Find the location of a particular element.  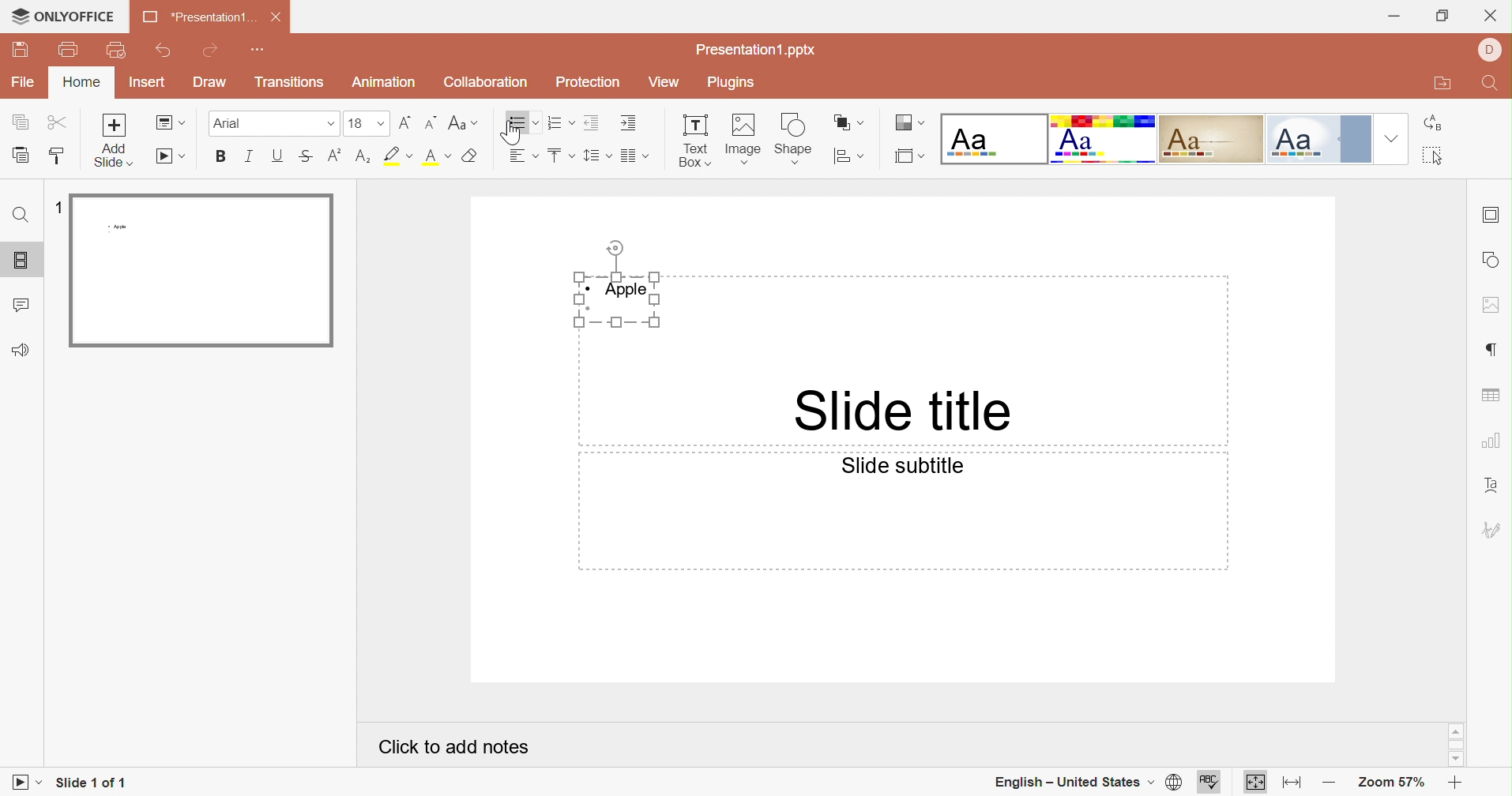

Merge and center is located at coordinates (629, 156).